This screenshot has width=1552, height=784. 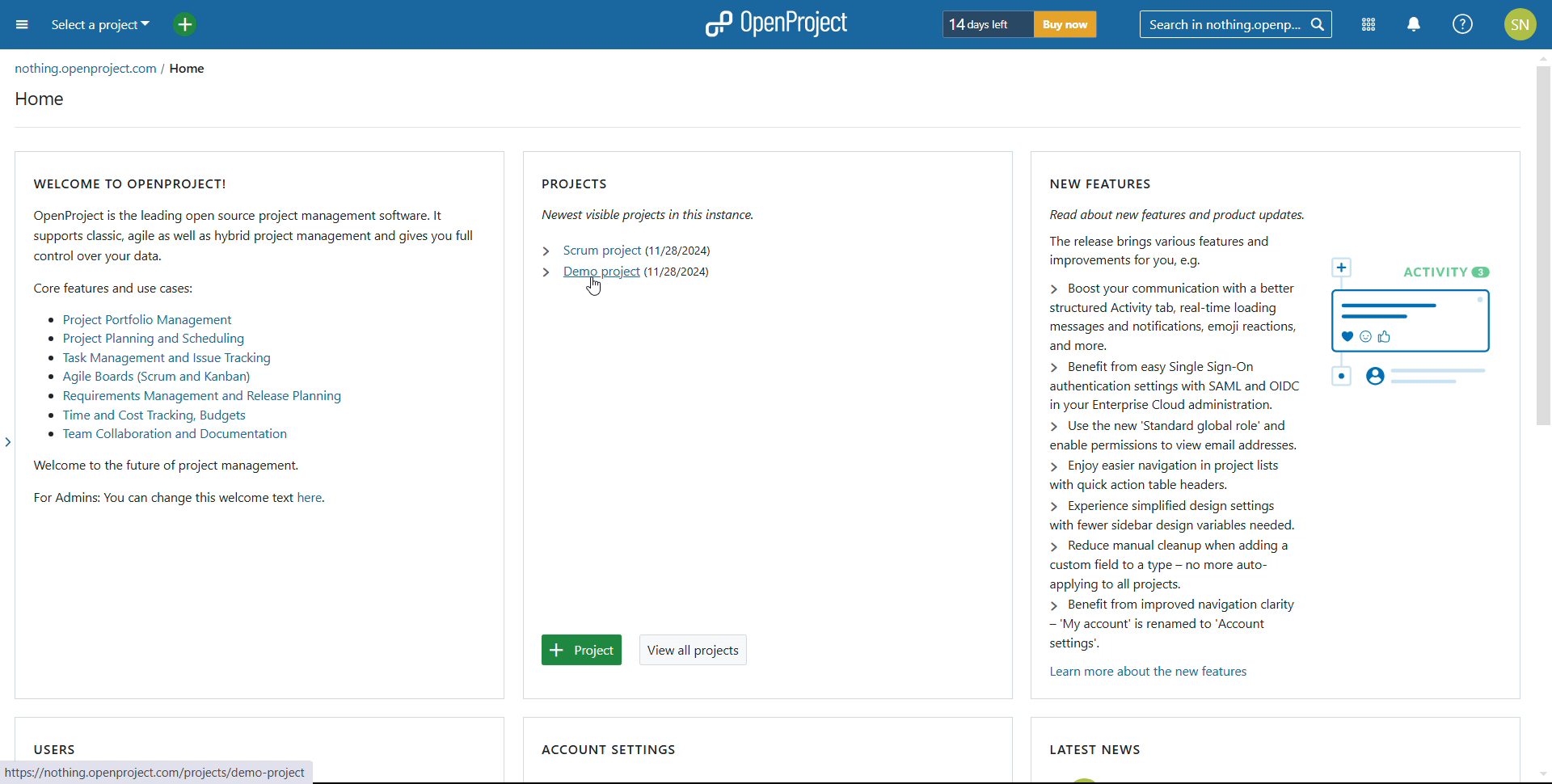 I want to click on add project, so click(x=185, y=25).